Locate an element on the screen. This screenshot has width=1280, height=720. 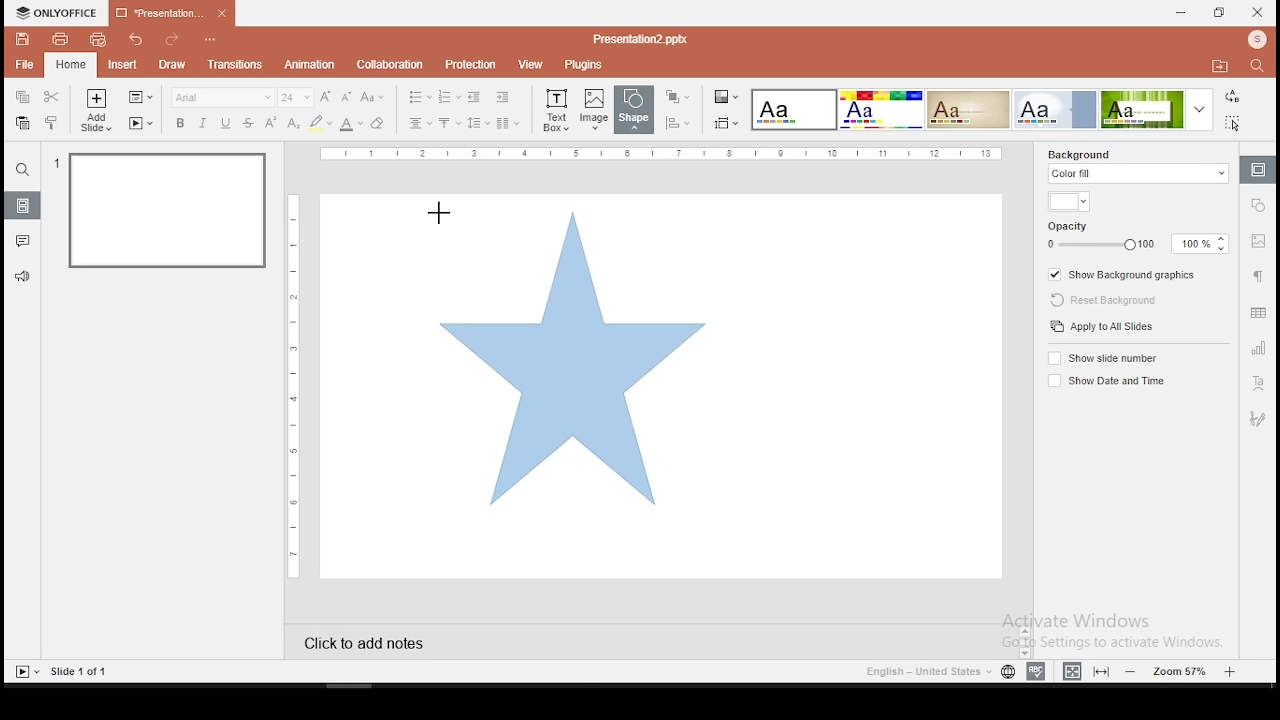
text box is located at coordinates (555, 109).